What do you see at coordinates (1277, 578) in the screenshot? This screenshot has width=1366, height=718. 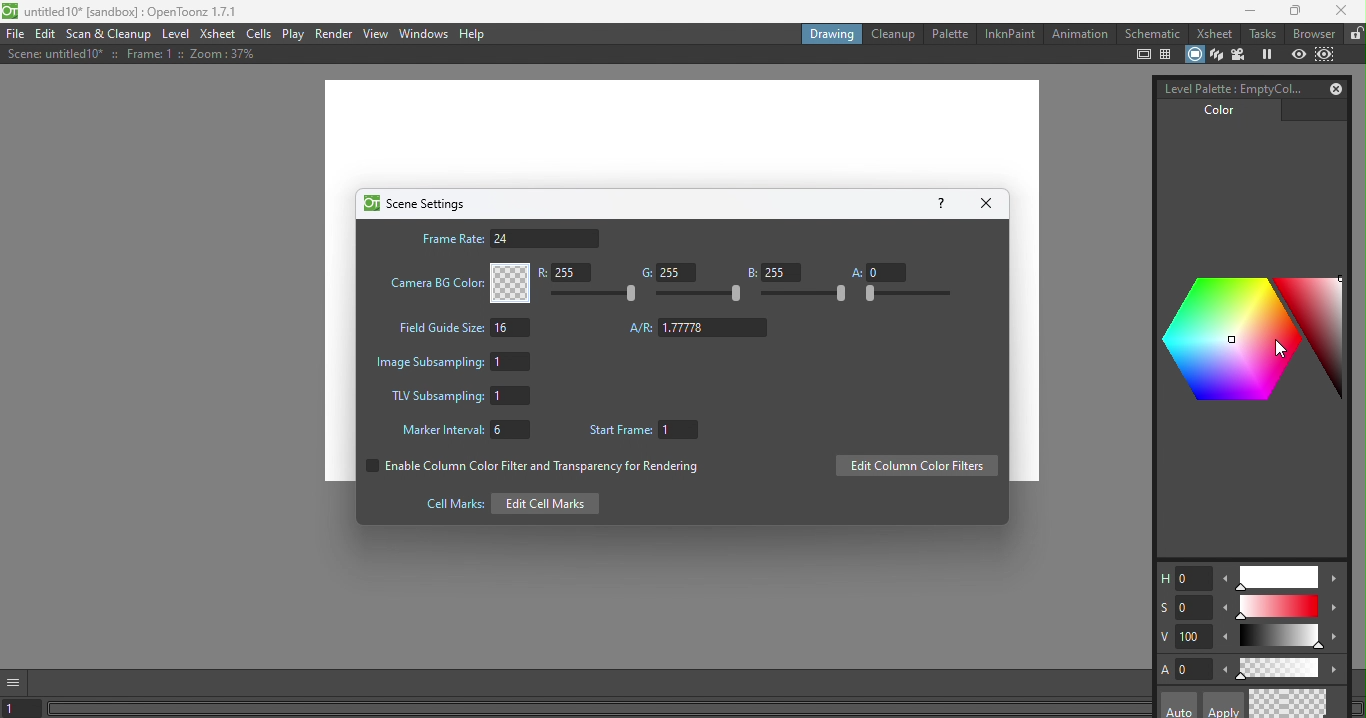 I see `Slide bar` at bounding box center [1277, 578].